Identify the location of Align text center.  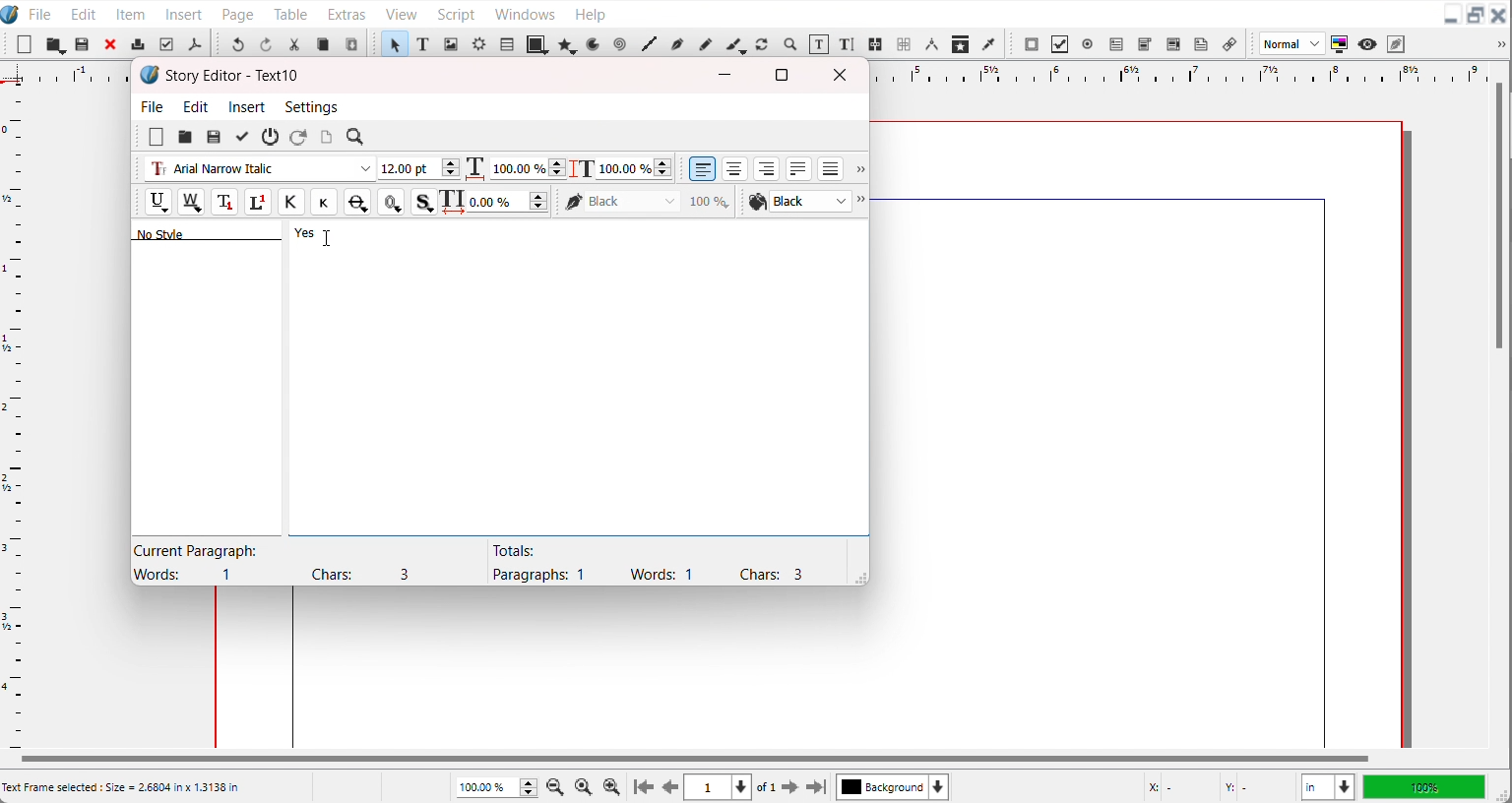
(735, 168).